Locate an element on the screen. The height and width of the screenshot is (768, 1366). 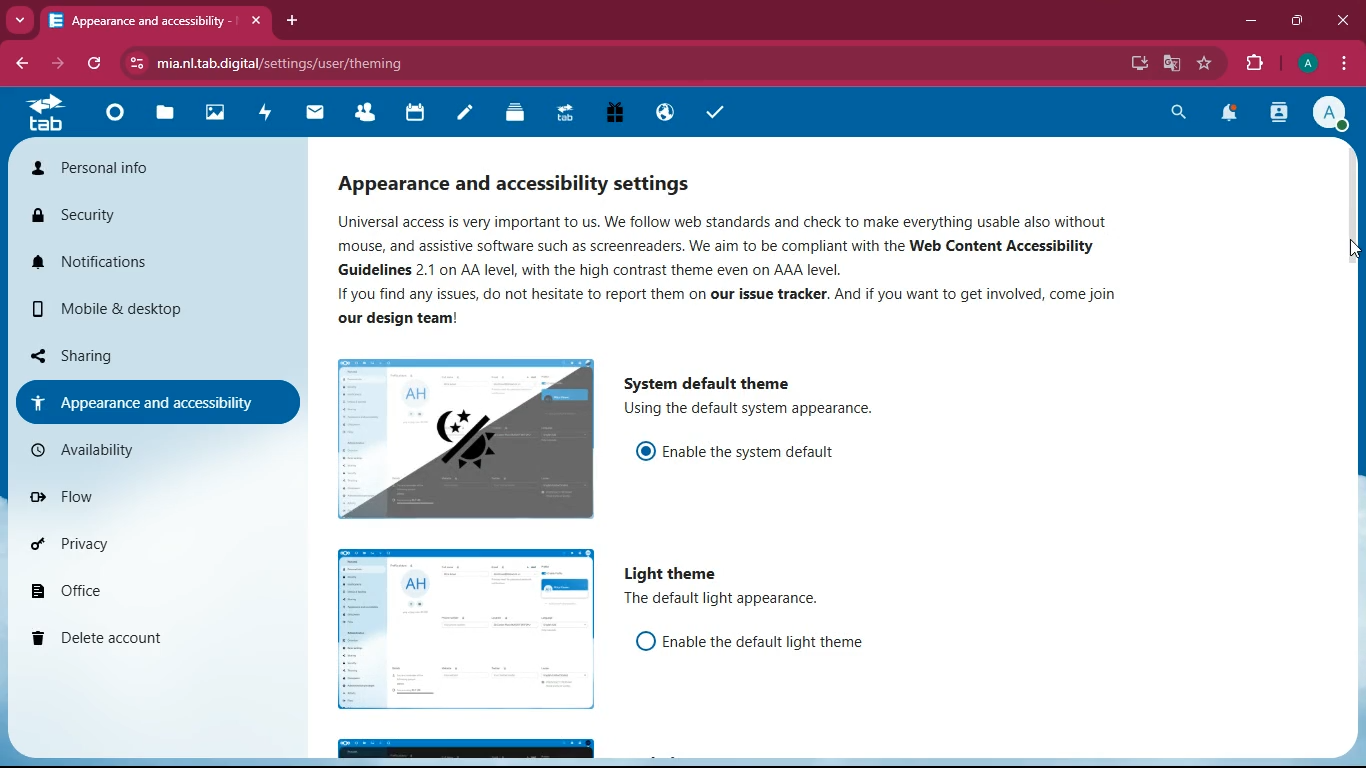
appearance is located at coordinates (562, 181).